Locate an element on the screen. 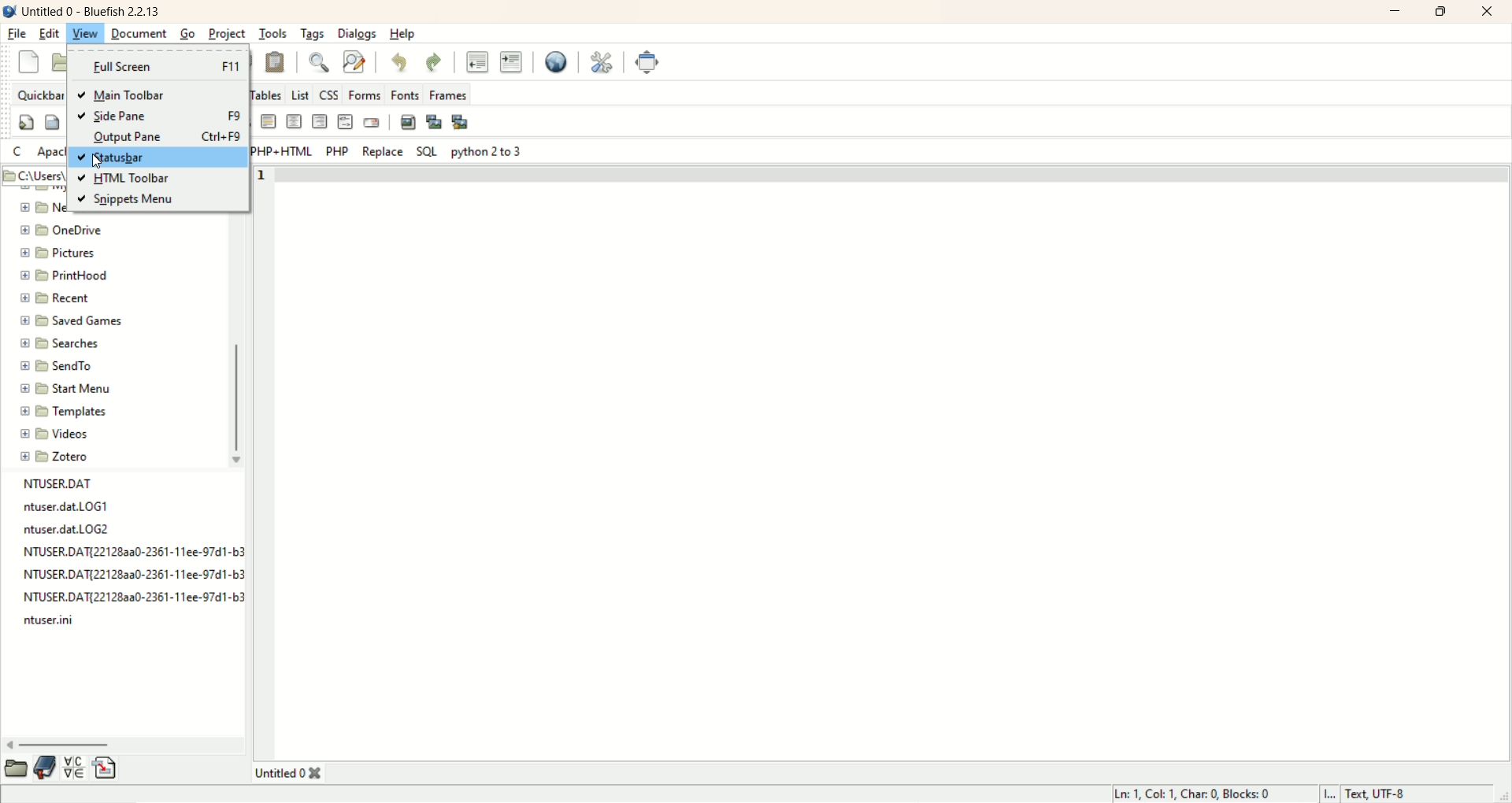 The width and height of the screenshot is (1512, 803). videos is located at coordinates (56, 435).